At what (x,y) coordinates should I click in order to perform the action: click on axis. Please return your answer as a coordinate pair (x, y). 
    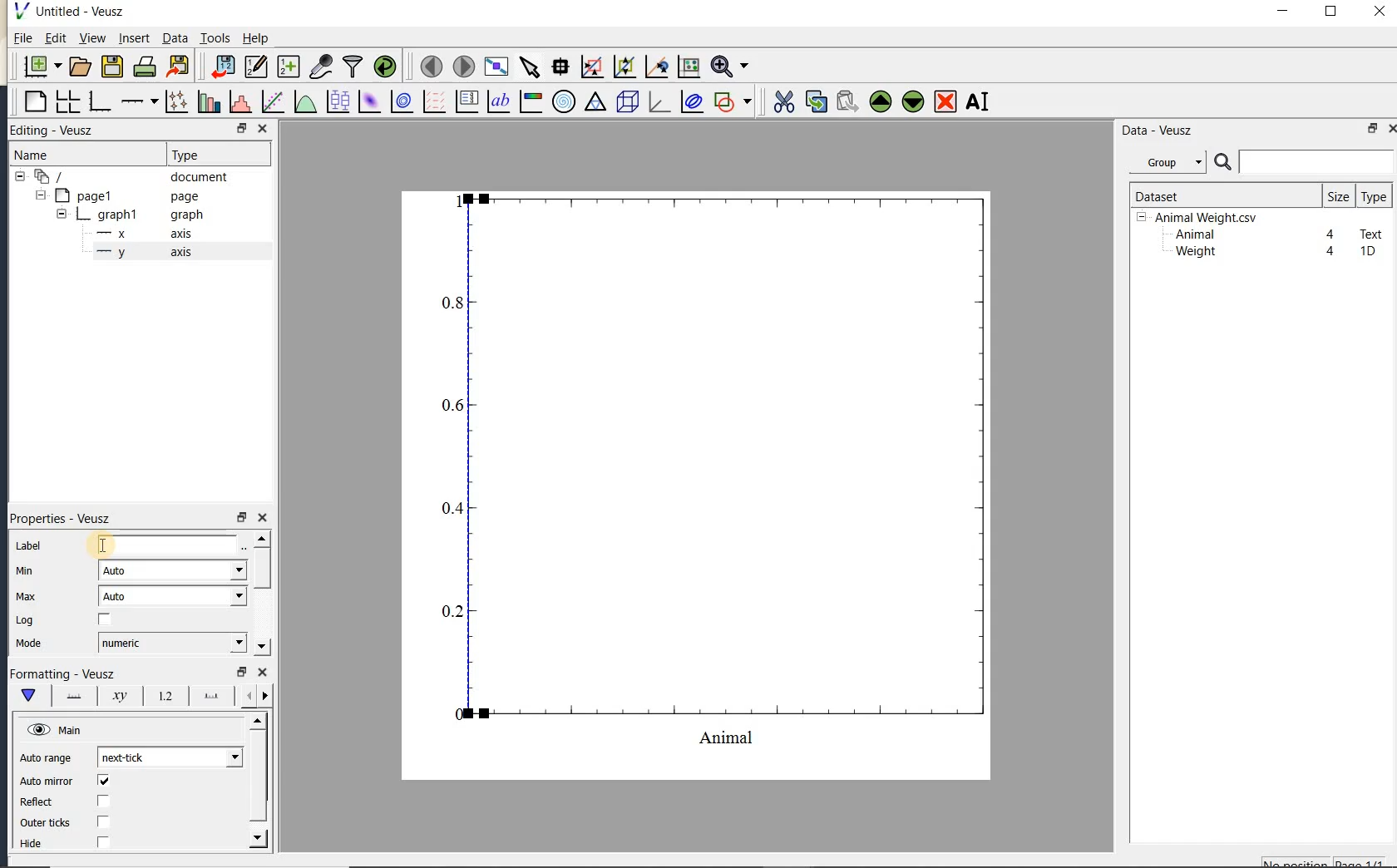
    Looking at the image, I should click on (140, 234).